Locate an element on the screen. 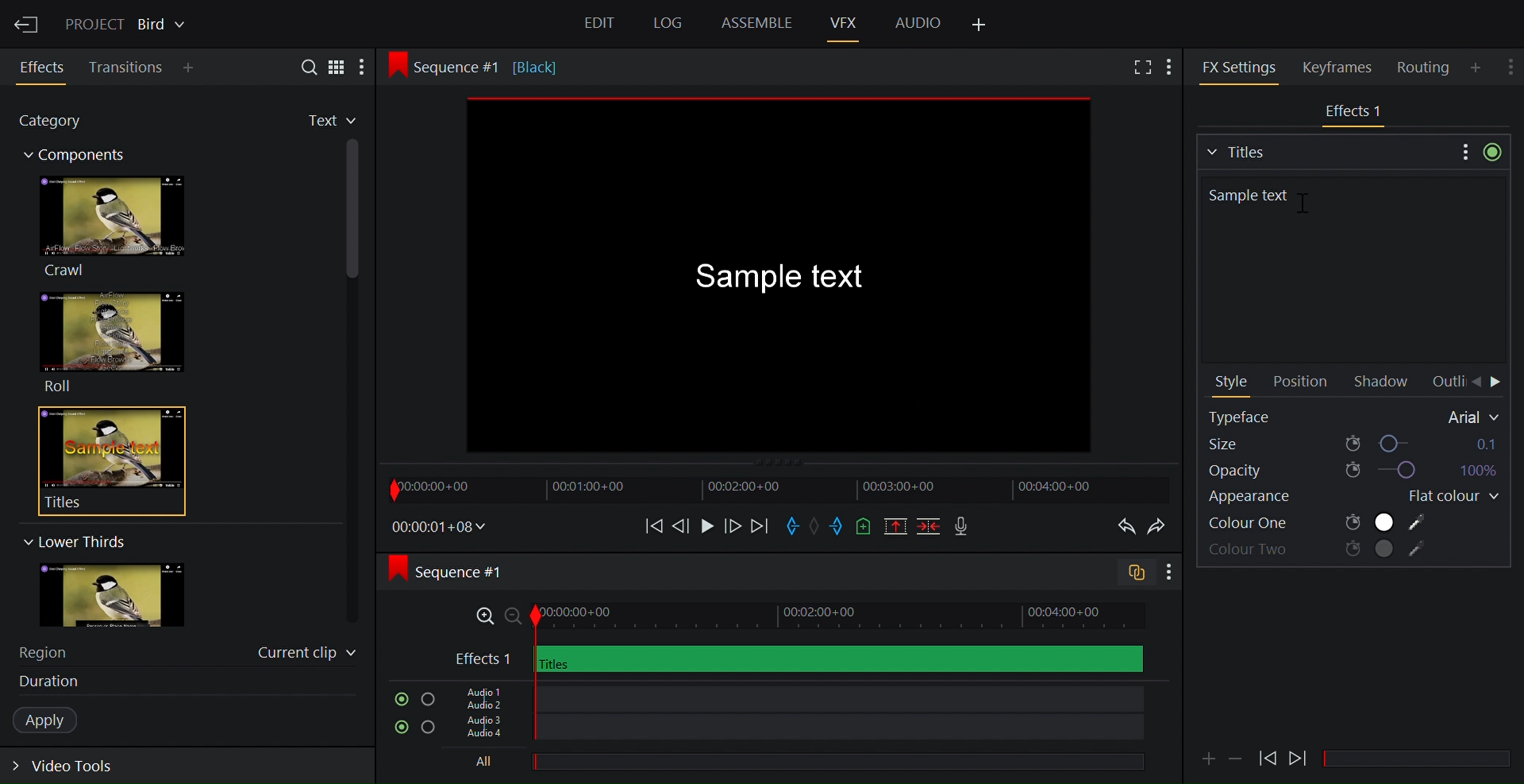  Flat colour is located at coordinates (1447, 497).